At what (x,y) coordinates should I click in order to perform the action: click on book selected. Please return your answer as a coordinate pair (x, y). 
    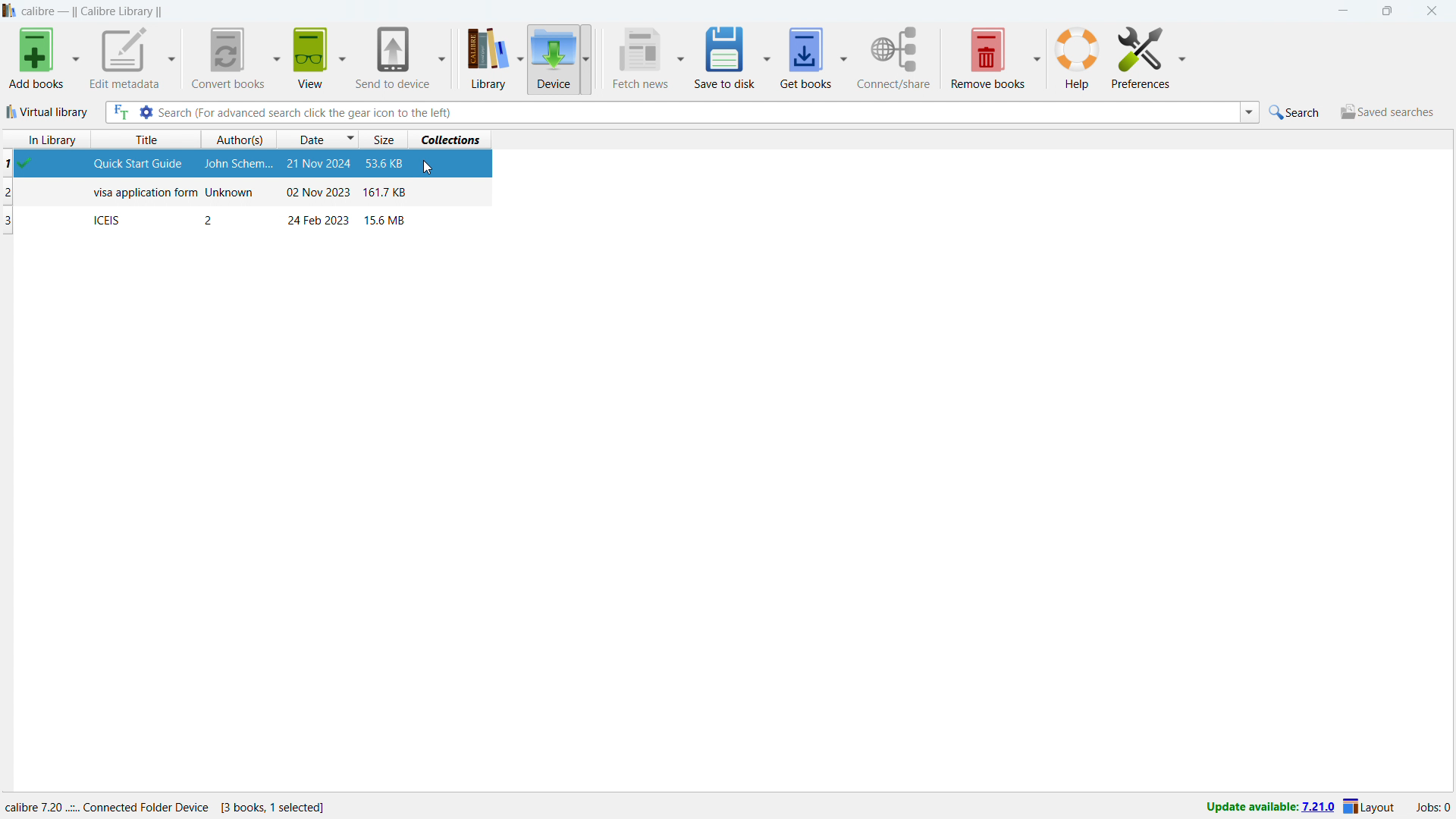
    Looking at the image, I should click on (249, 165).